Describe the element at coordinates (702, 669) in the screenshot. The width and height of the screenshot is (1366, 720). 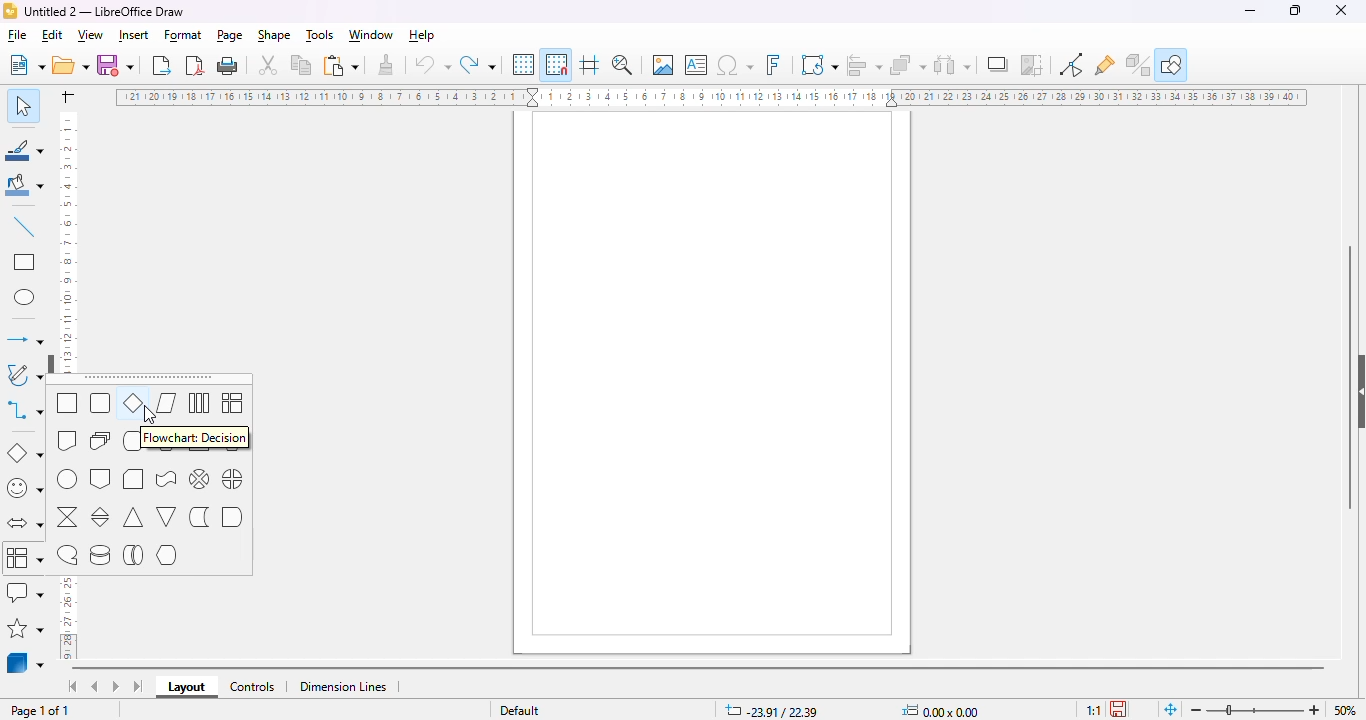
I see `horizontal scroll bar` at that location.